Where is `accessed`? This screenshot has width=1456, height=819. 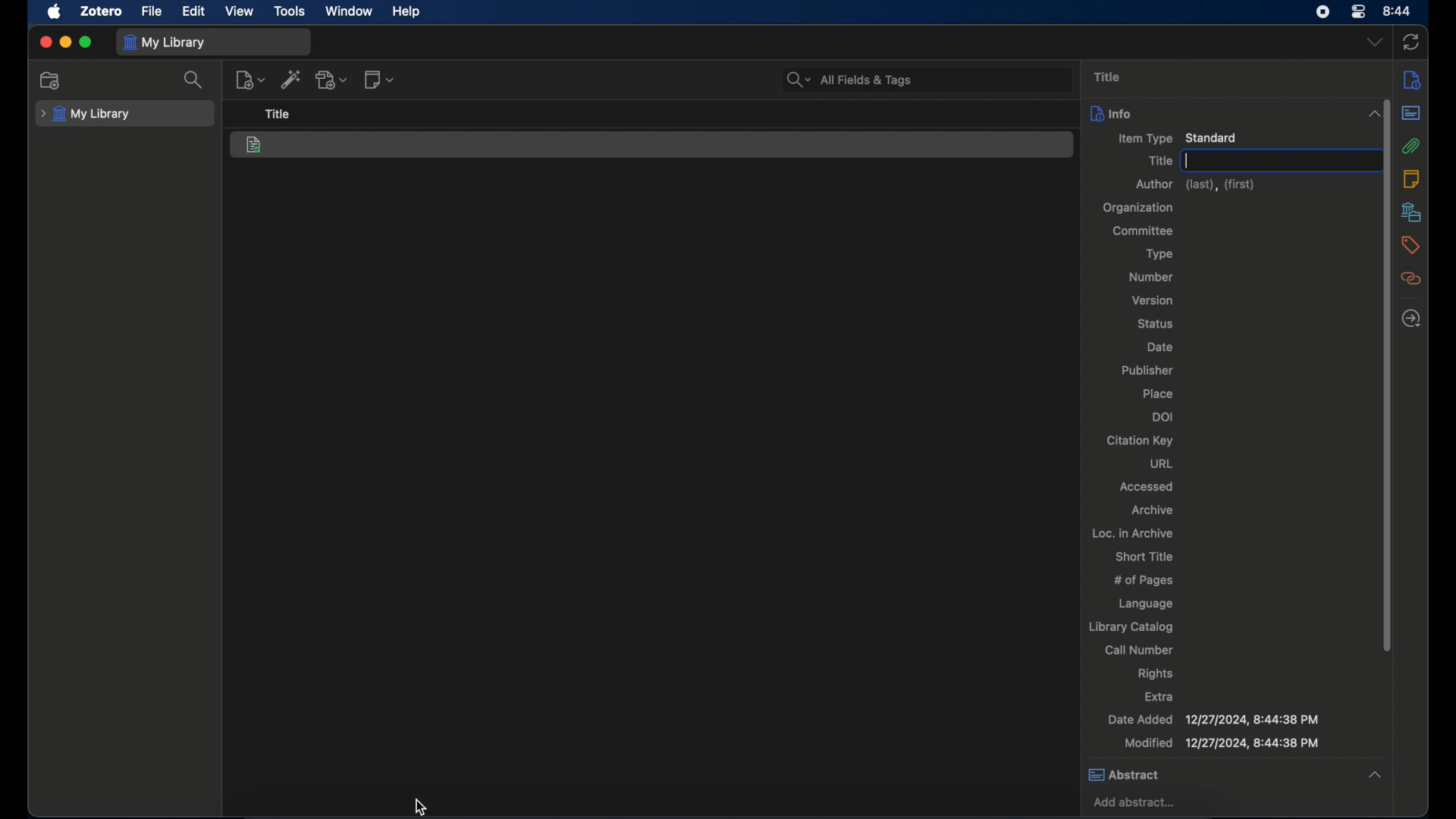 accessed is located at coordinates (1147, 486).